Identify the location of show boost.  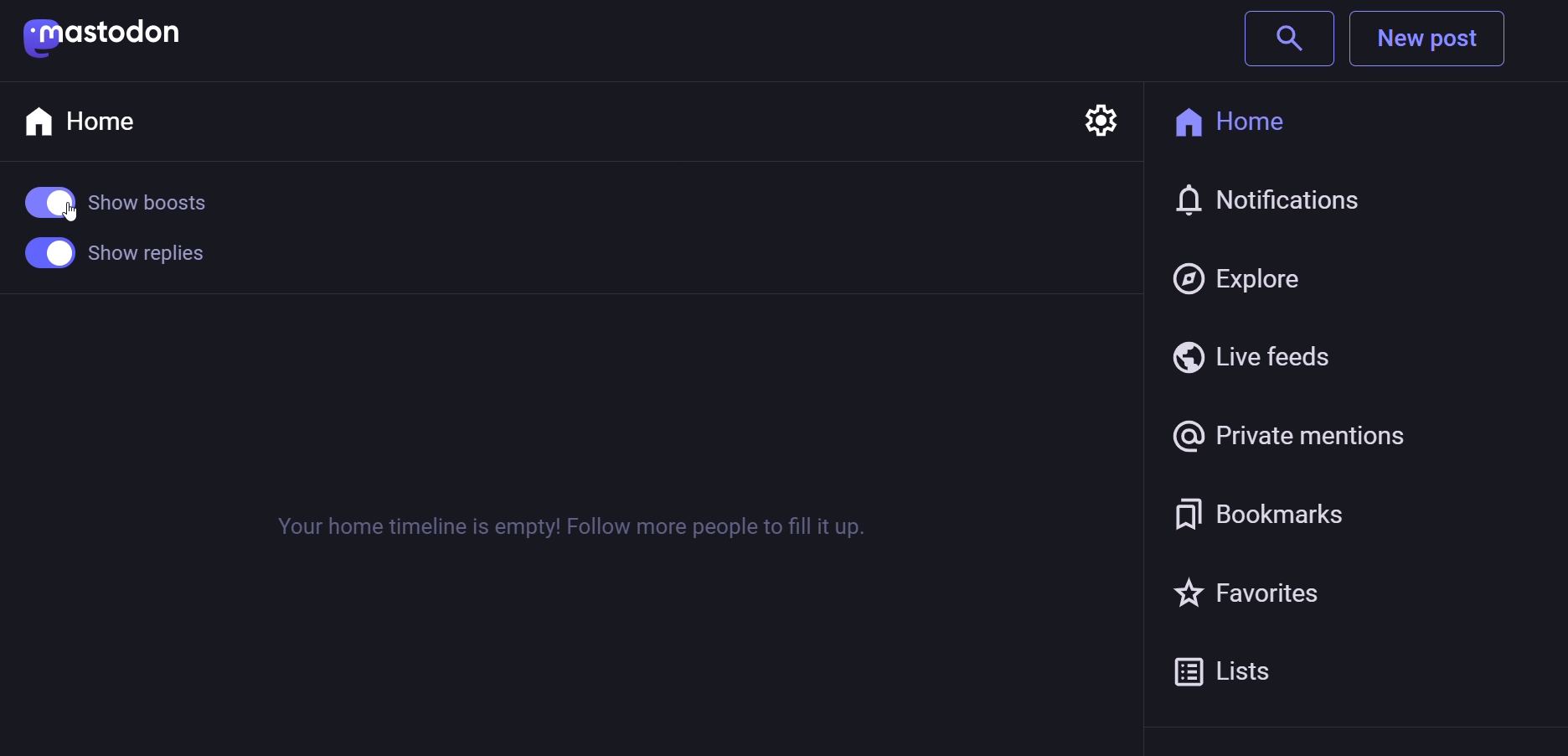
(131, 204).